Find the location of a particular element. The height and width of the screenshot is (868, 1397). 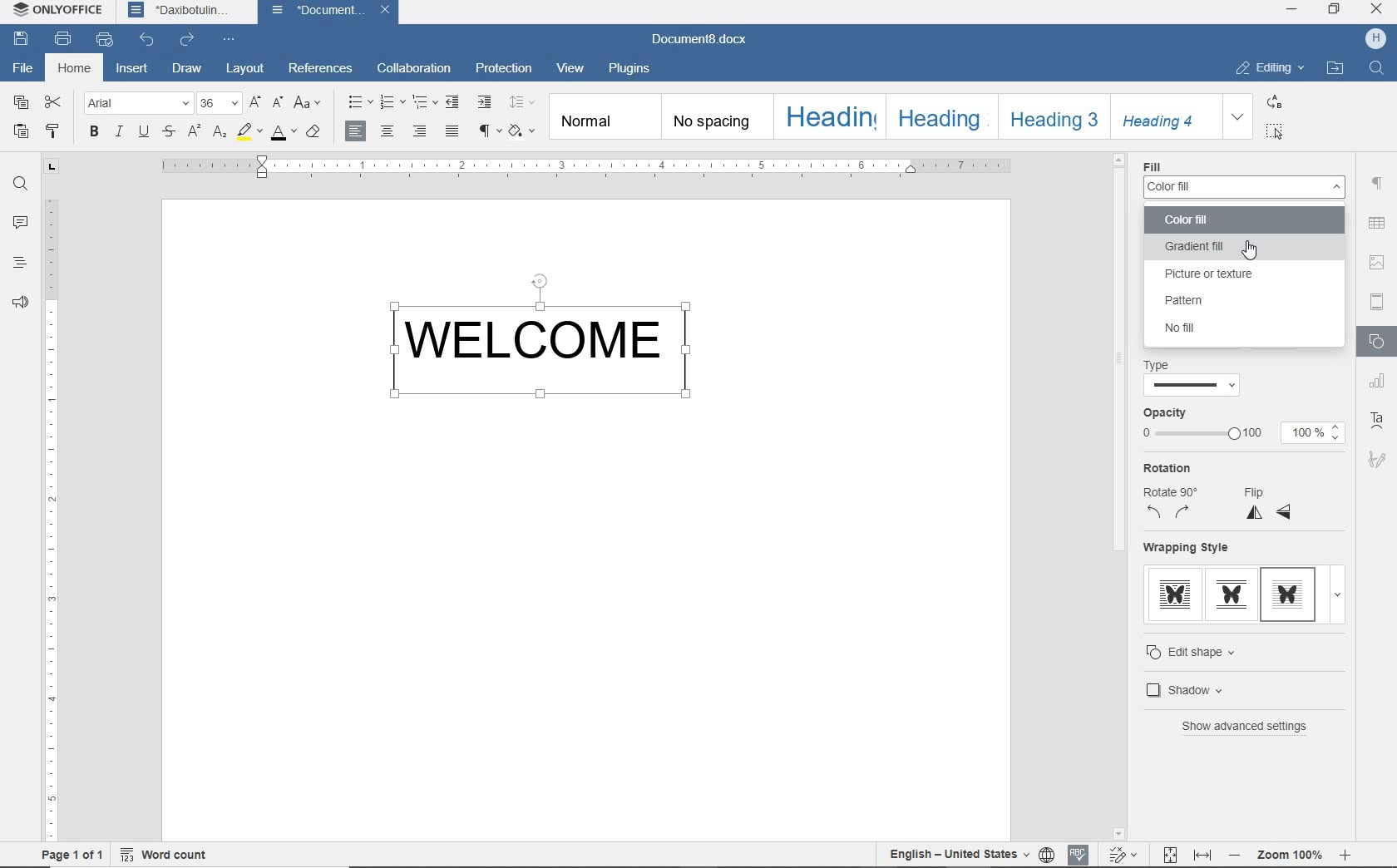

TAB STOP is located at coordinates (51, 168).